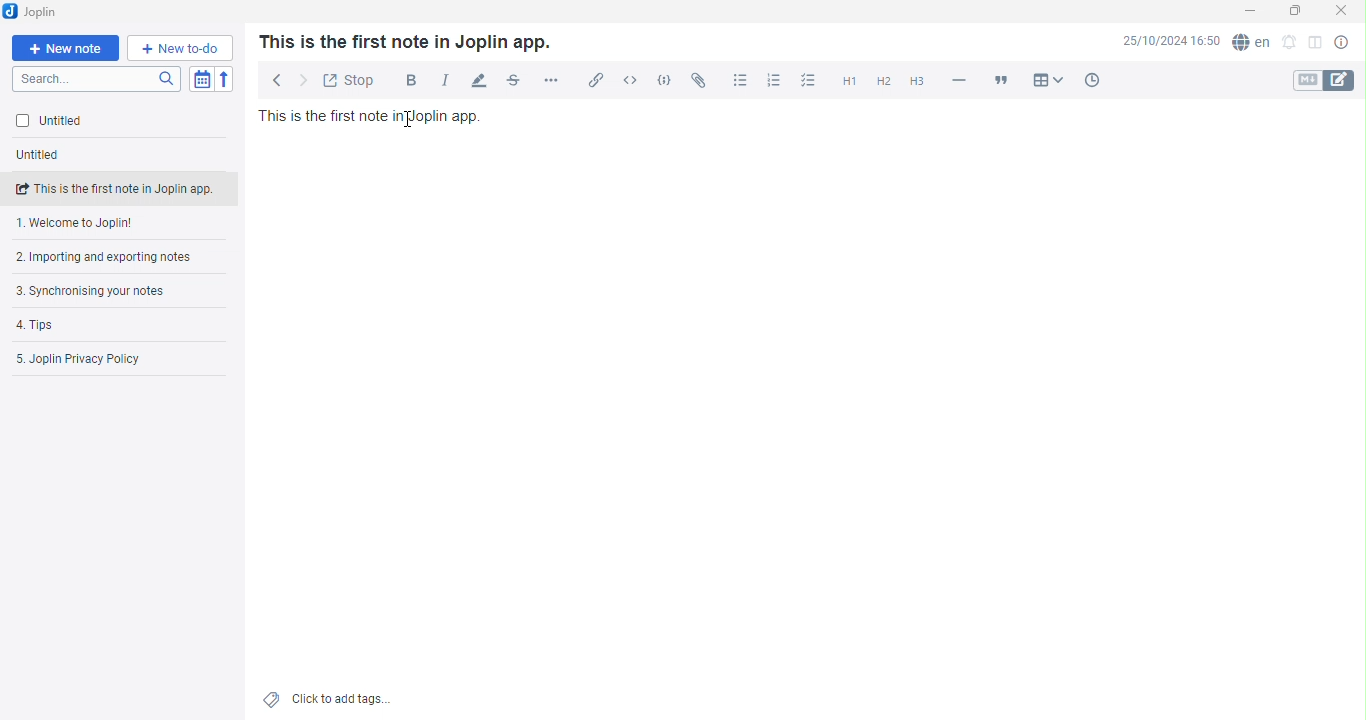  I want to click on Insert/edit link, so click(592, 82).